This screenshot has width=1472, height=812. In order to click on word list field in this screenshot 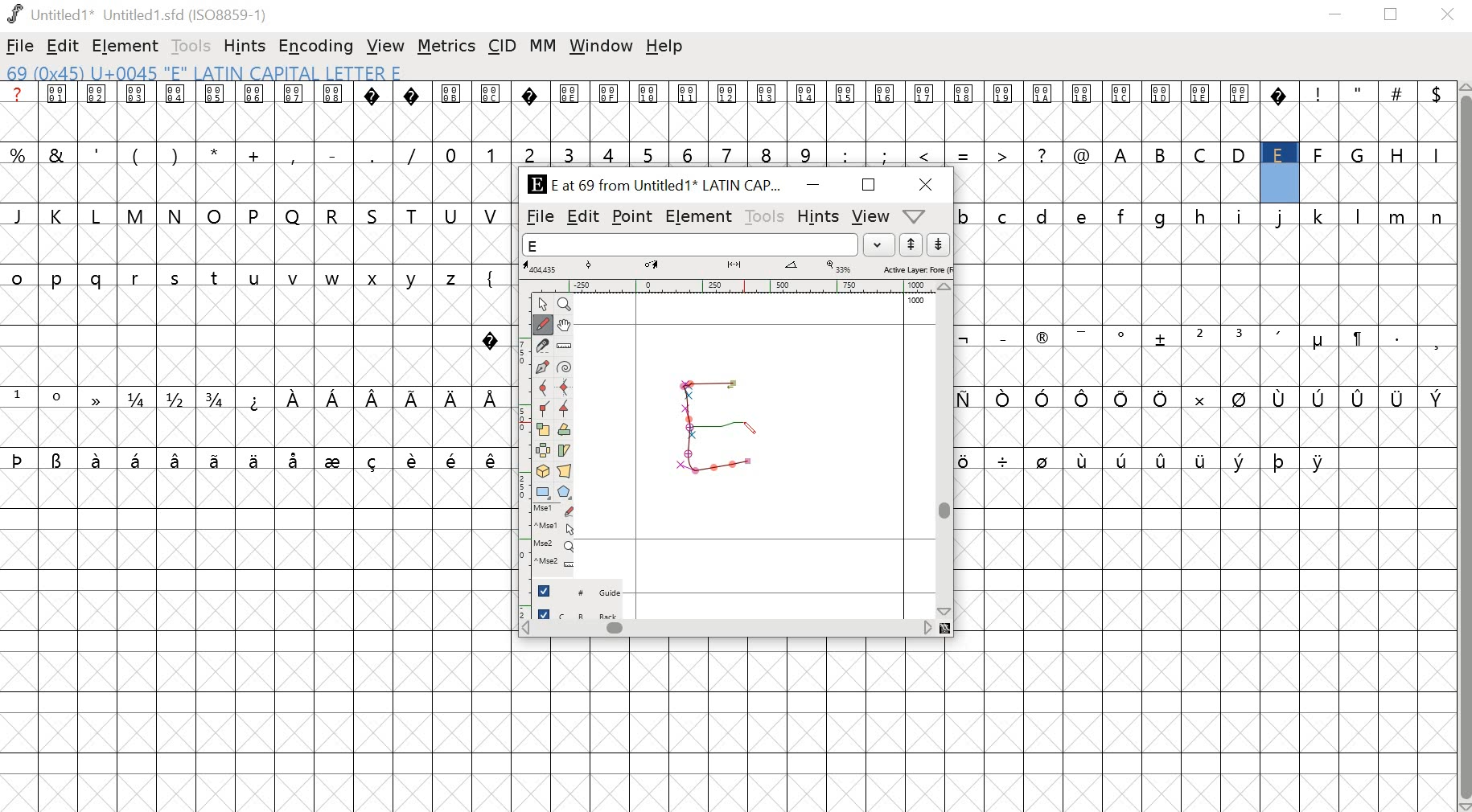, I will do `click(690, 244)`.